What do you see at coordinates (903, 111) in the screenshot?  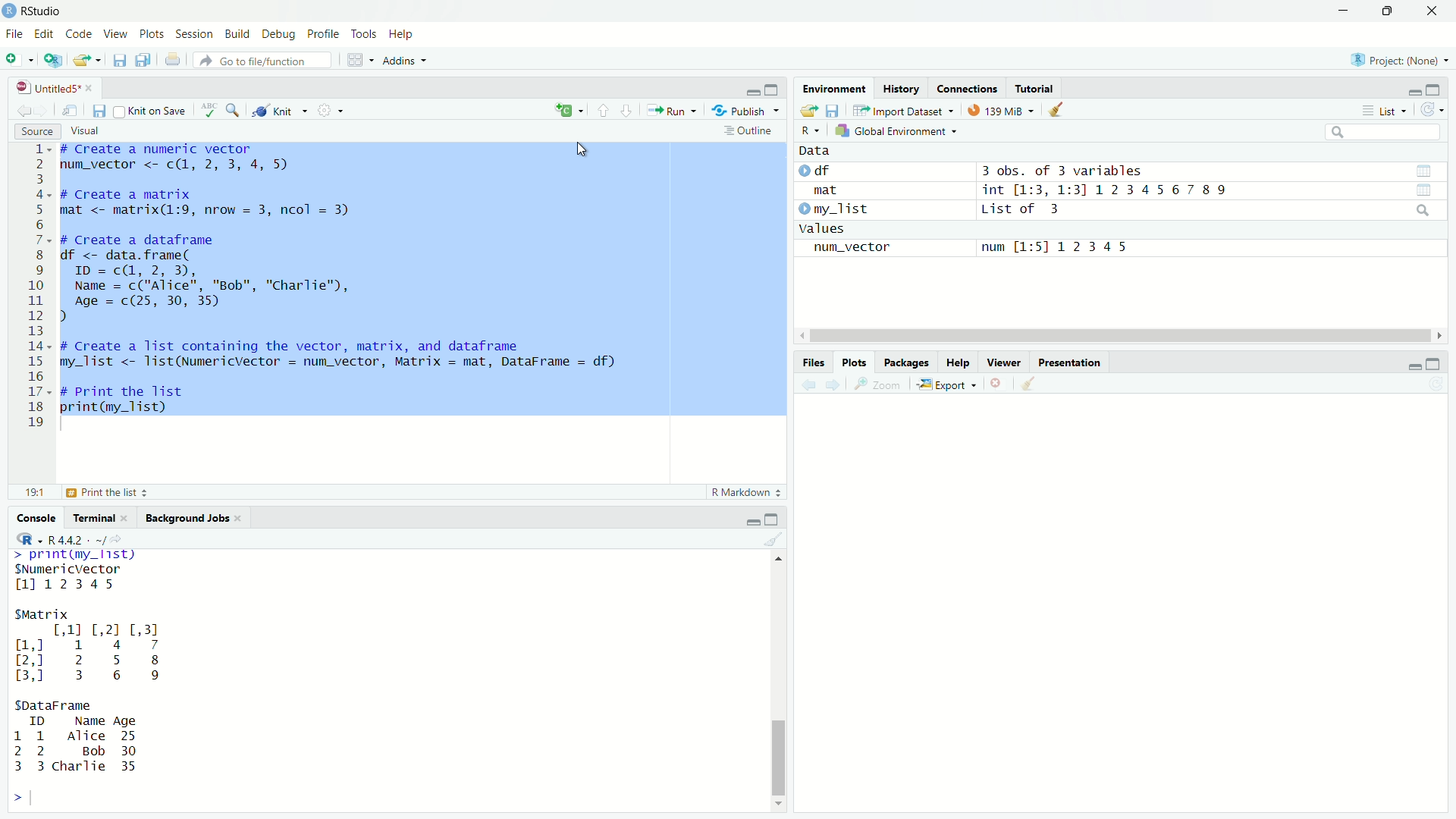 I see `Import Dataset ~` at bounding box center [903, 111].